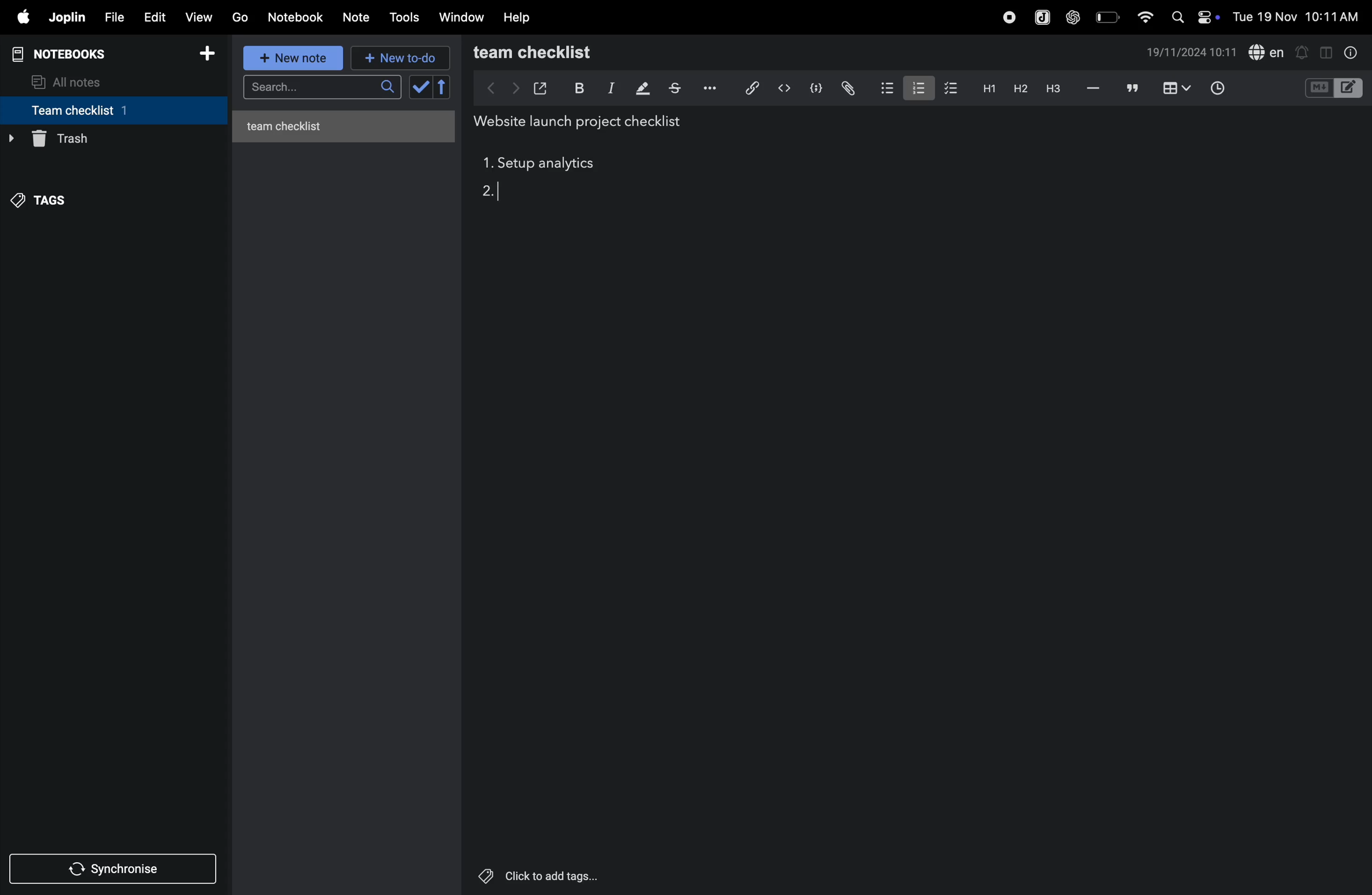  What do you see at coordinates (1318, 88) in the screenshot?
I see `M+` at bounding box center [1318, 88].